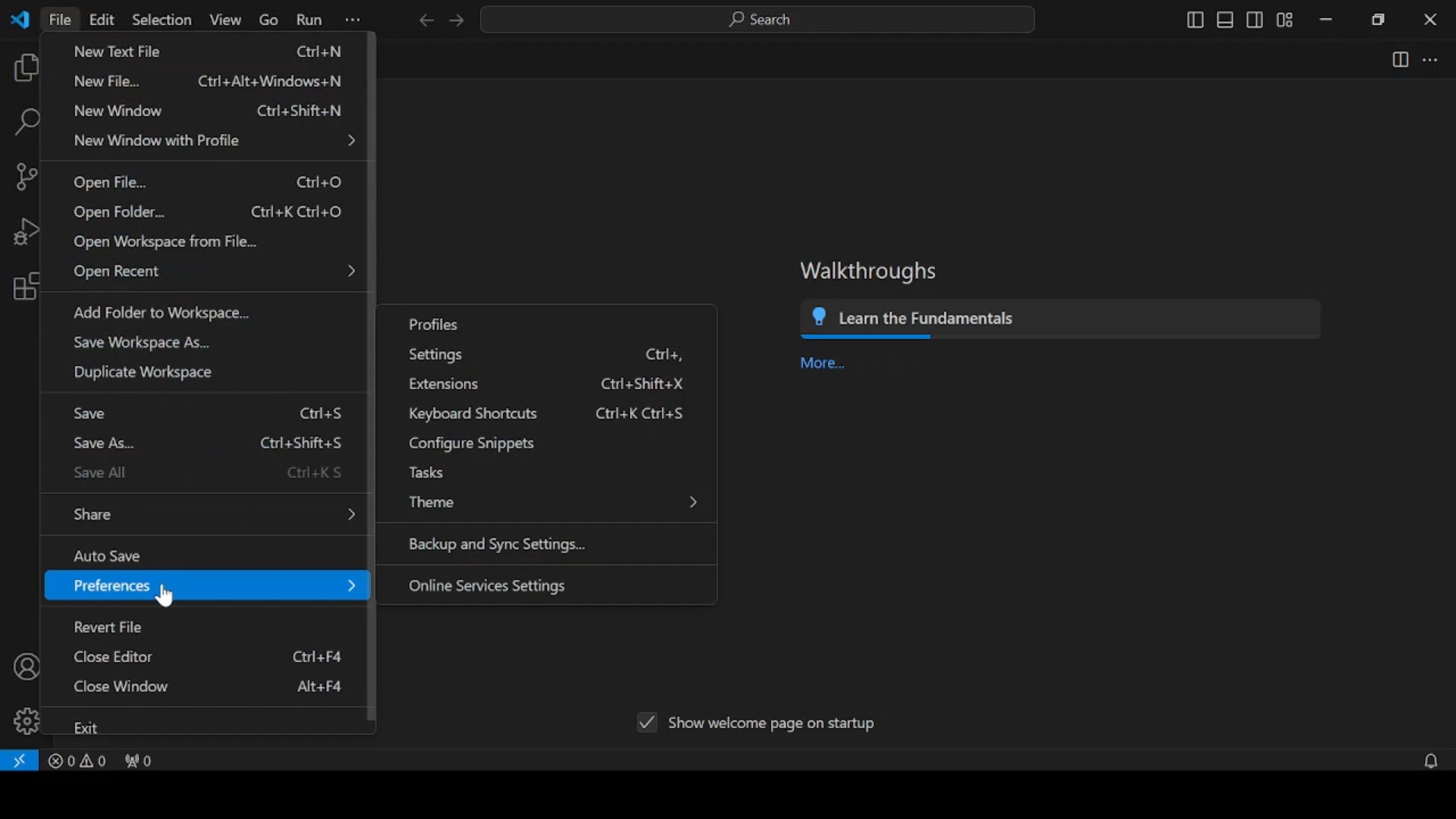 Image resolution: width=1456 pixels, height=819 pixels. Describe the element at coordinates (645, 725) in the screenshot. I see `tick` at that location.